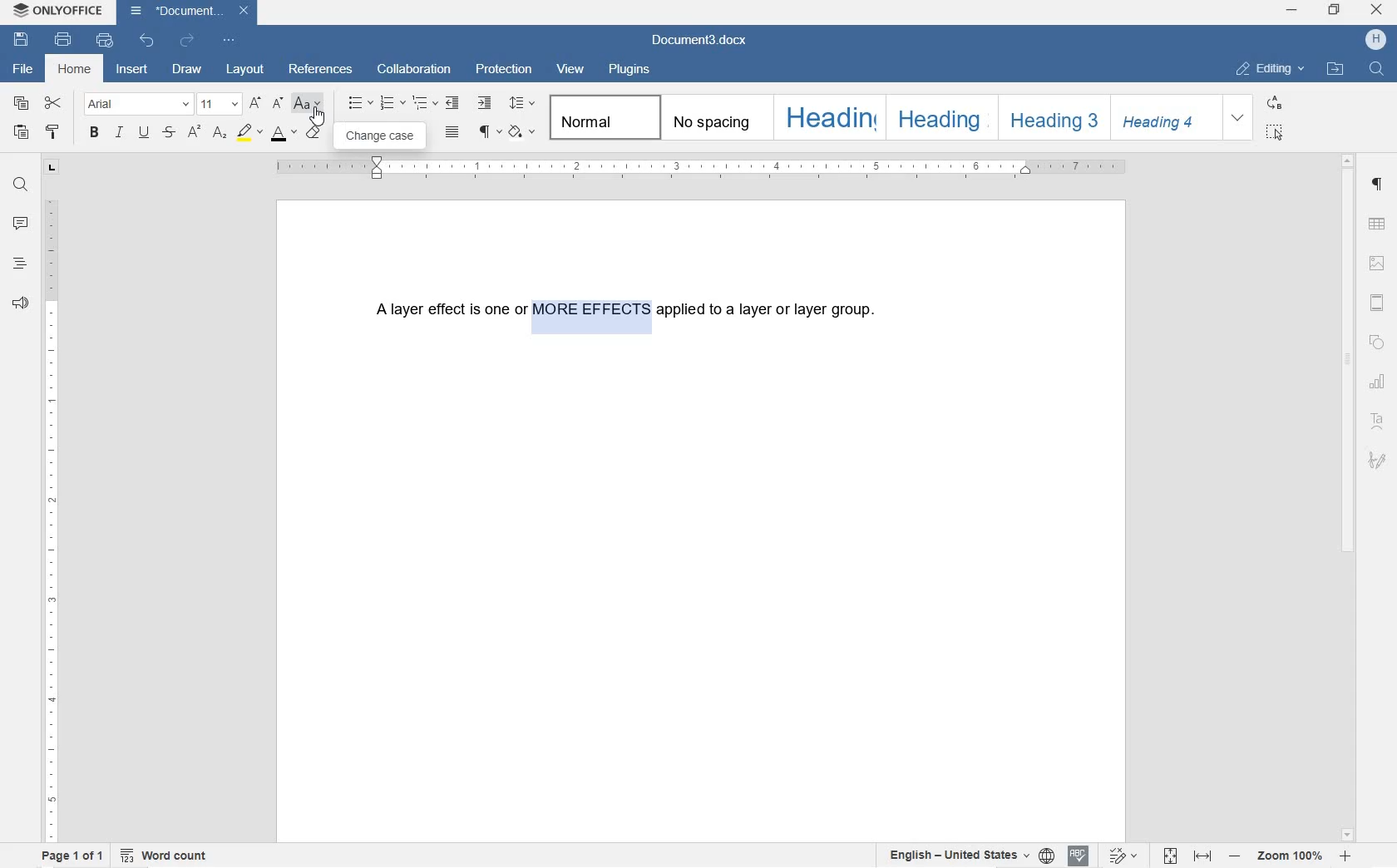 The width and height of the screenshot is (1397, 868). Describe the element at coordinates (53, 103) in the screenshot. I see `CUT` at that location.